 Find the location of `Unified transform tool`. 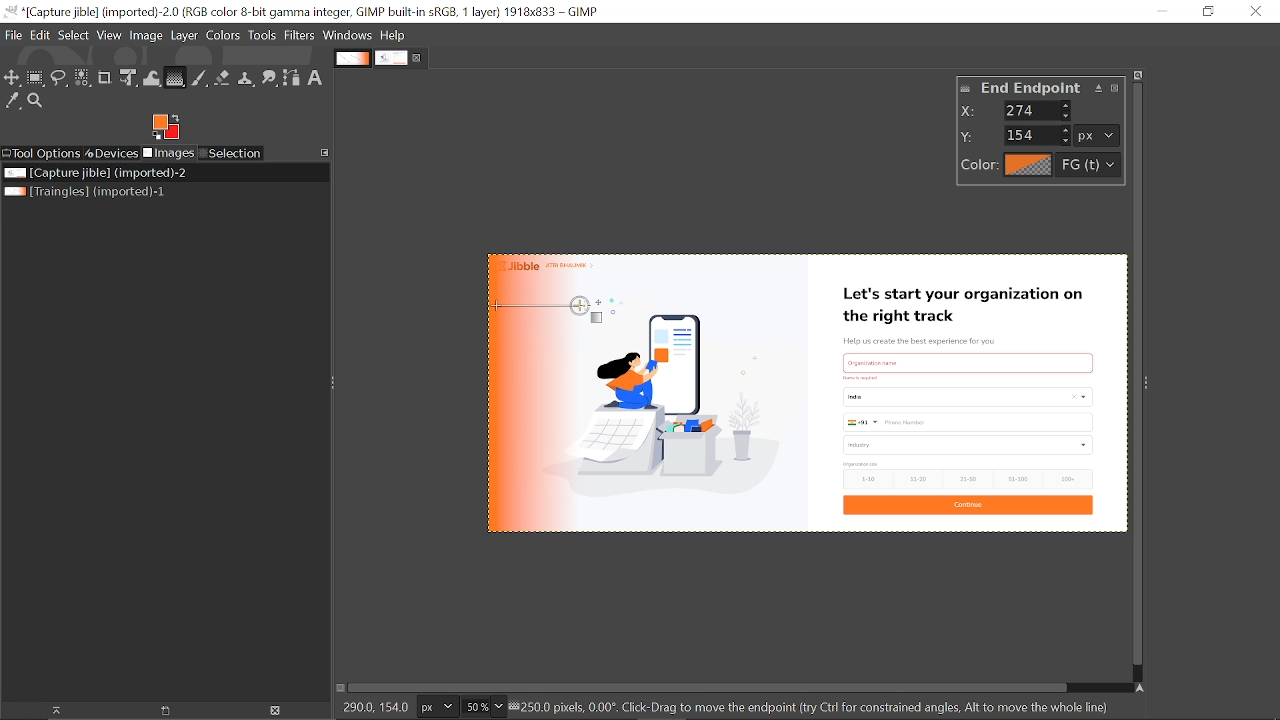

Unified transform tool is located at coordinates (130, 78).